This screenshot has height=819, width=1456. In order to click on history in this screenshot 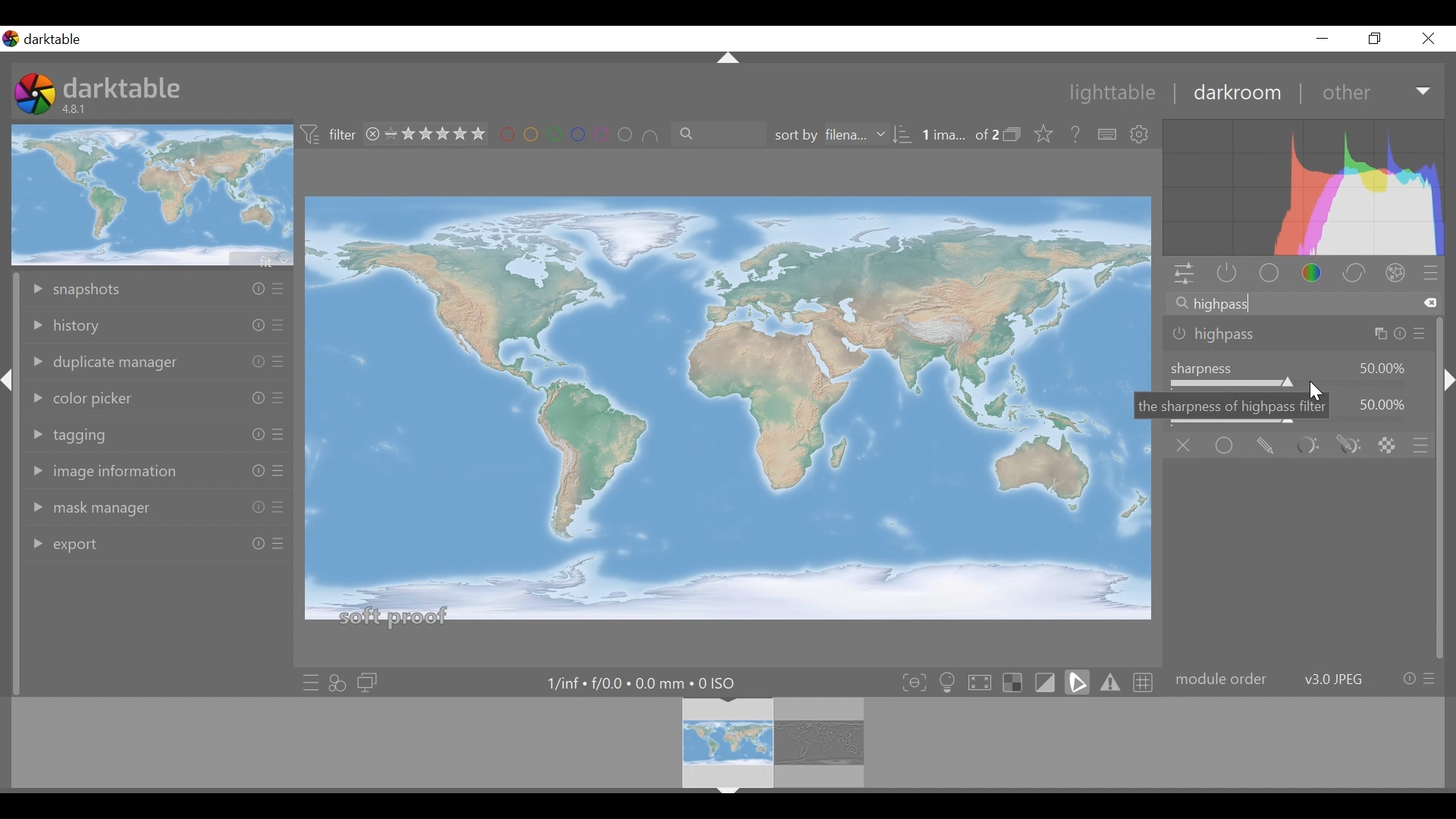, I will do `click(157, 326)`.